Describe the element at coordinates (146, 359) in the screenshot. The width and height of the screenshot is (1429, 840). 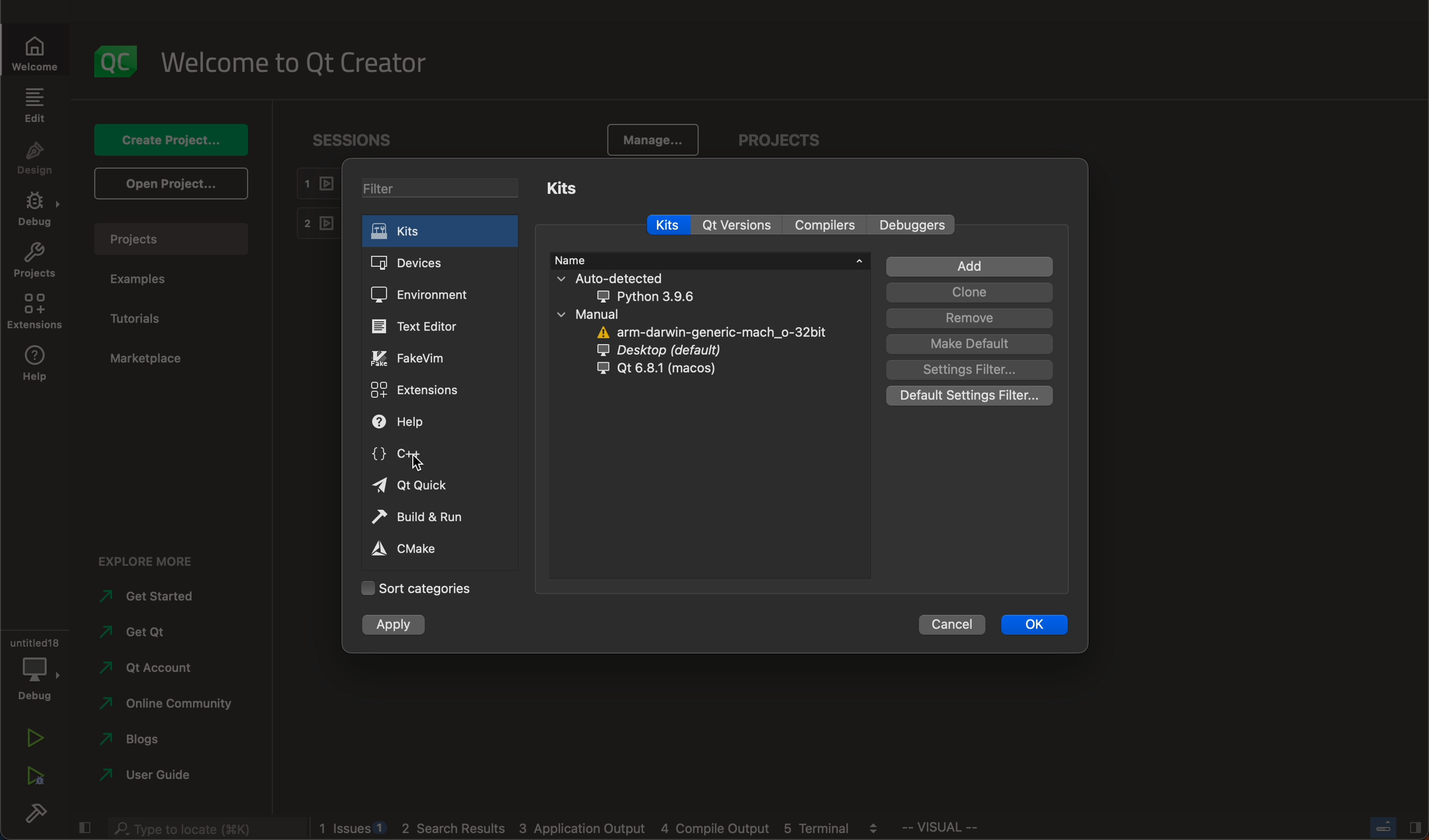
I see `marketplace` at that location.